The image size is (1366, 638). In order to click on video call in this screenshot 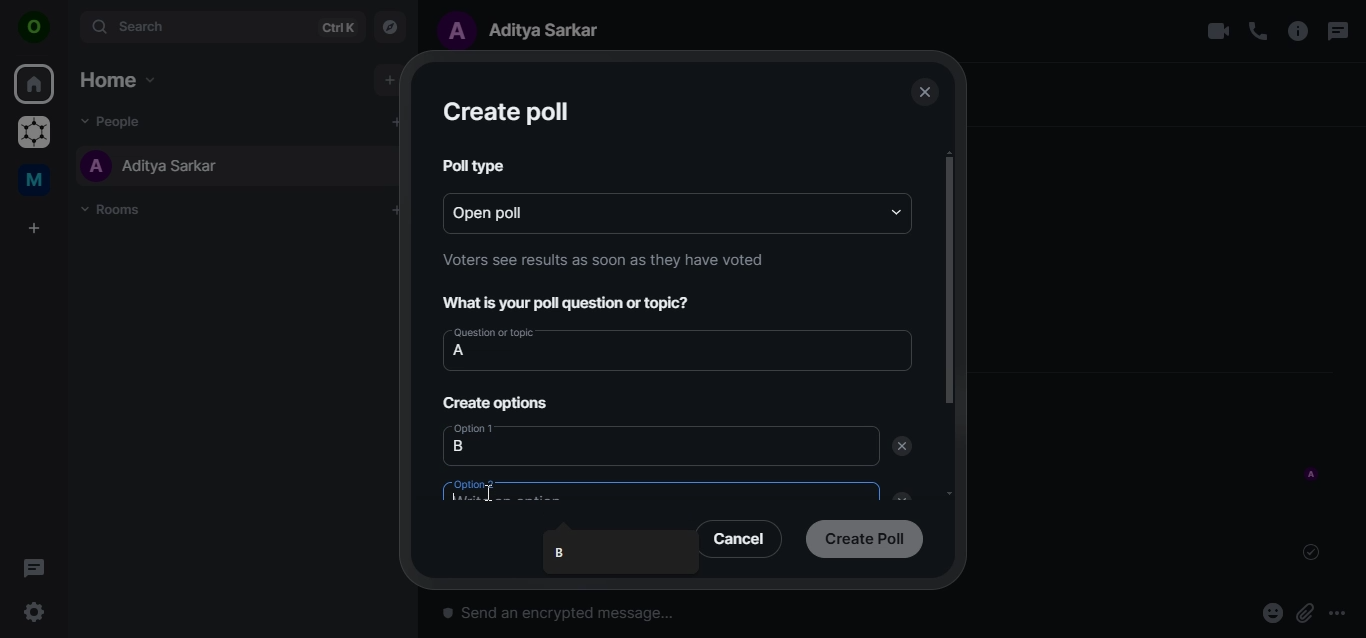, I will do `click(1217, 31)`.